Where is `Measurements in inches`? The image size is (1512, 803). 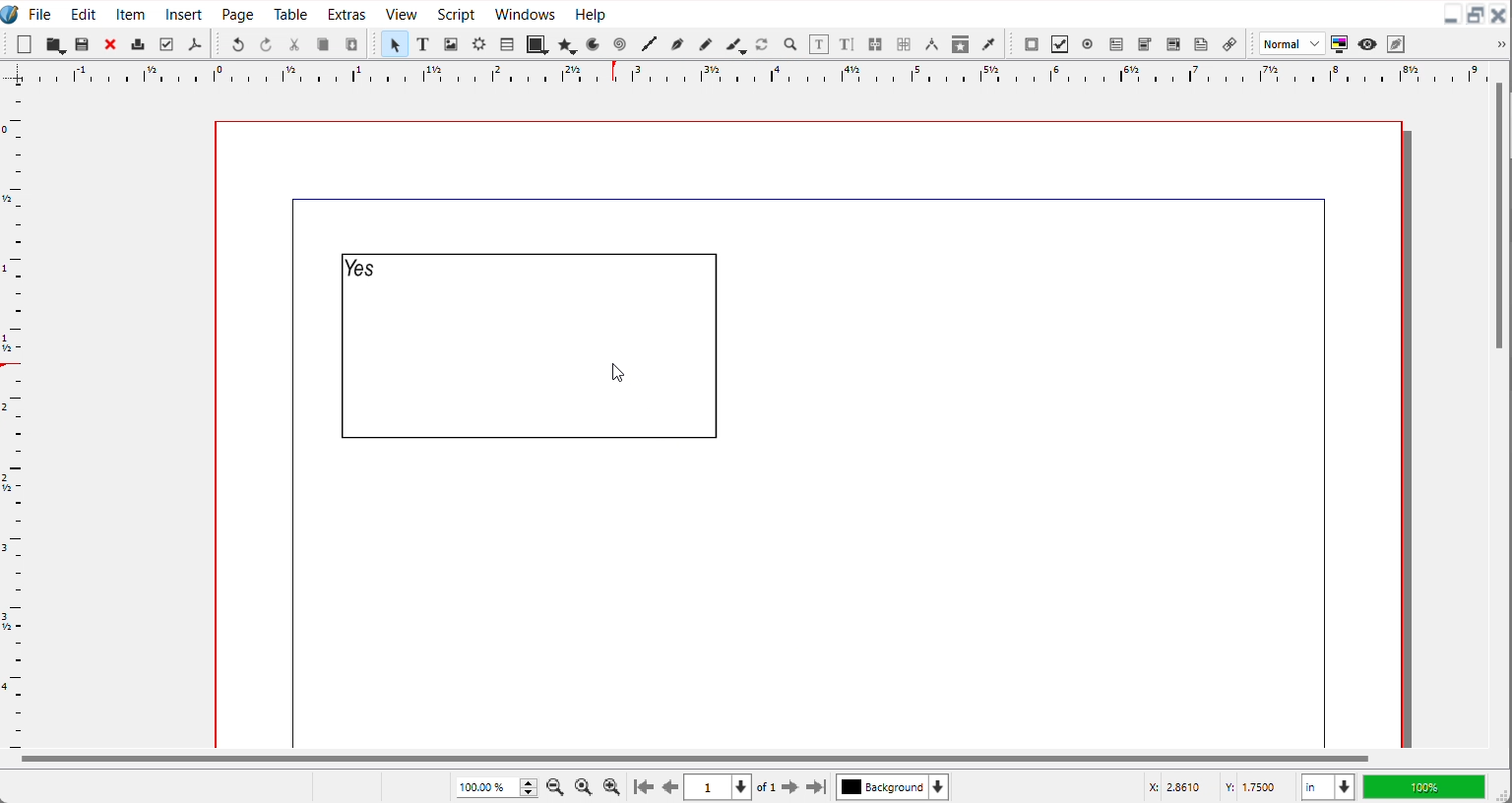 Measurements in inches is located at coordinates (1328, 787).